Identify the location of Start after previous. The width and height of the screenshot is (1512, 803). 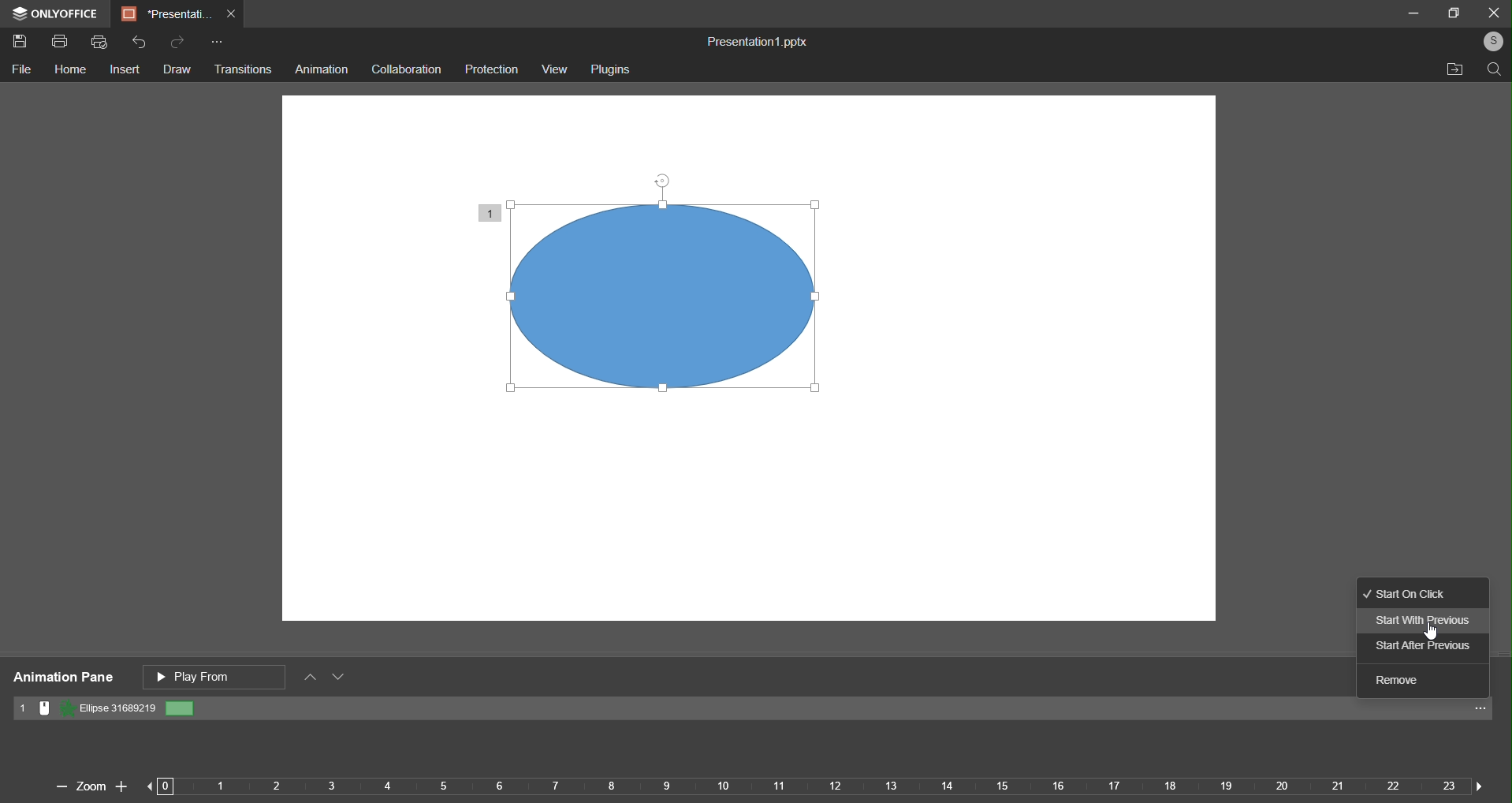
(1421, 647).